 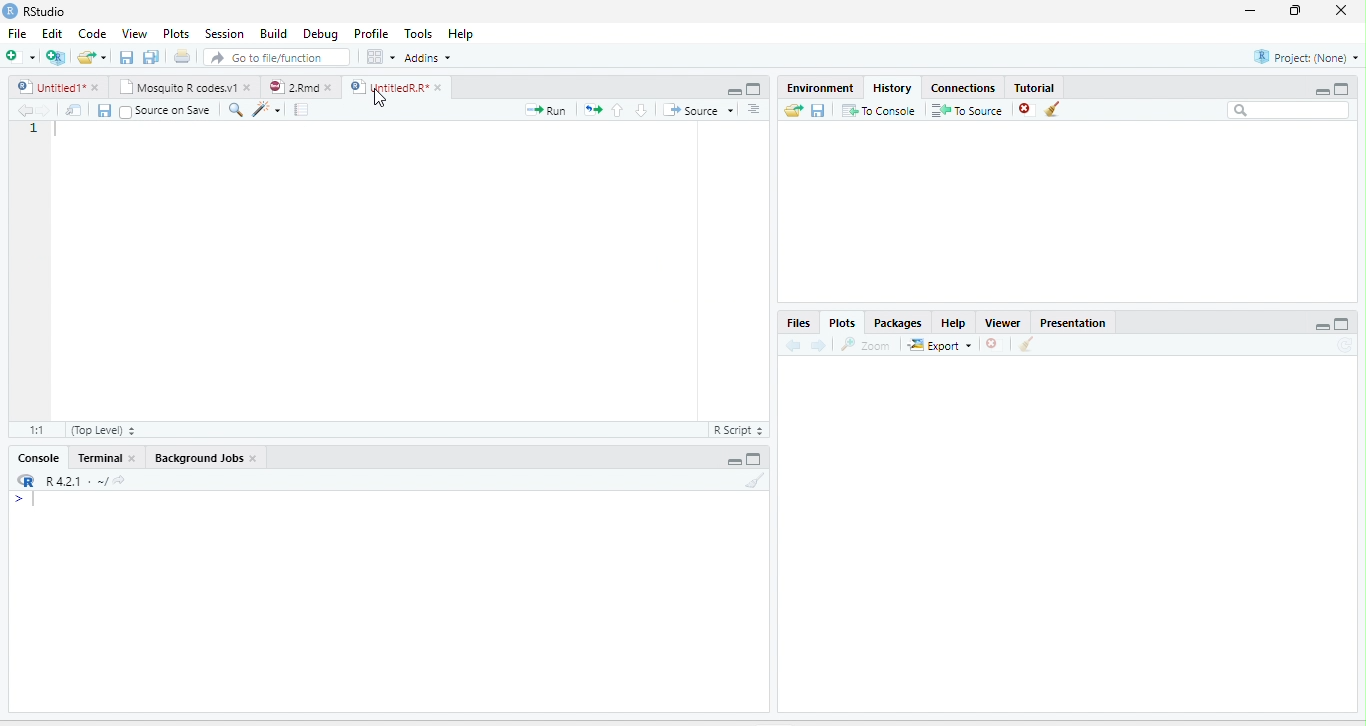 What do you see at coordinates (277, 57) in the screenshot?
I see `Go to file/function` at bounding box center [277, 57].